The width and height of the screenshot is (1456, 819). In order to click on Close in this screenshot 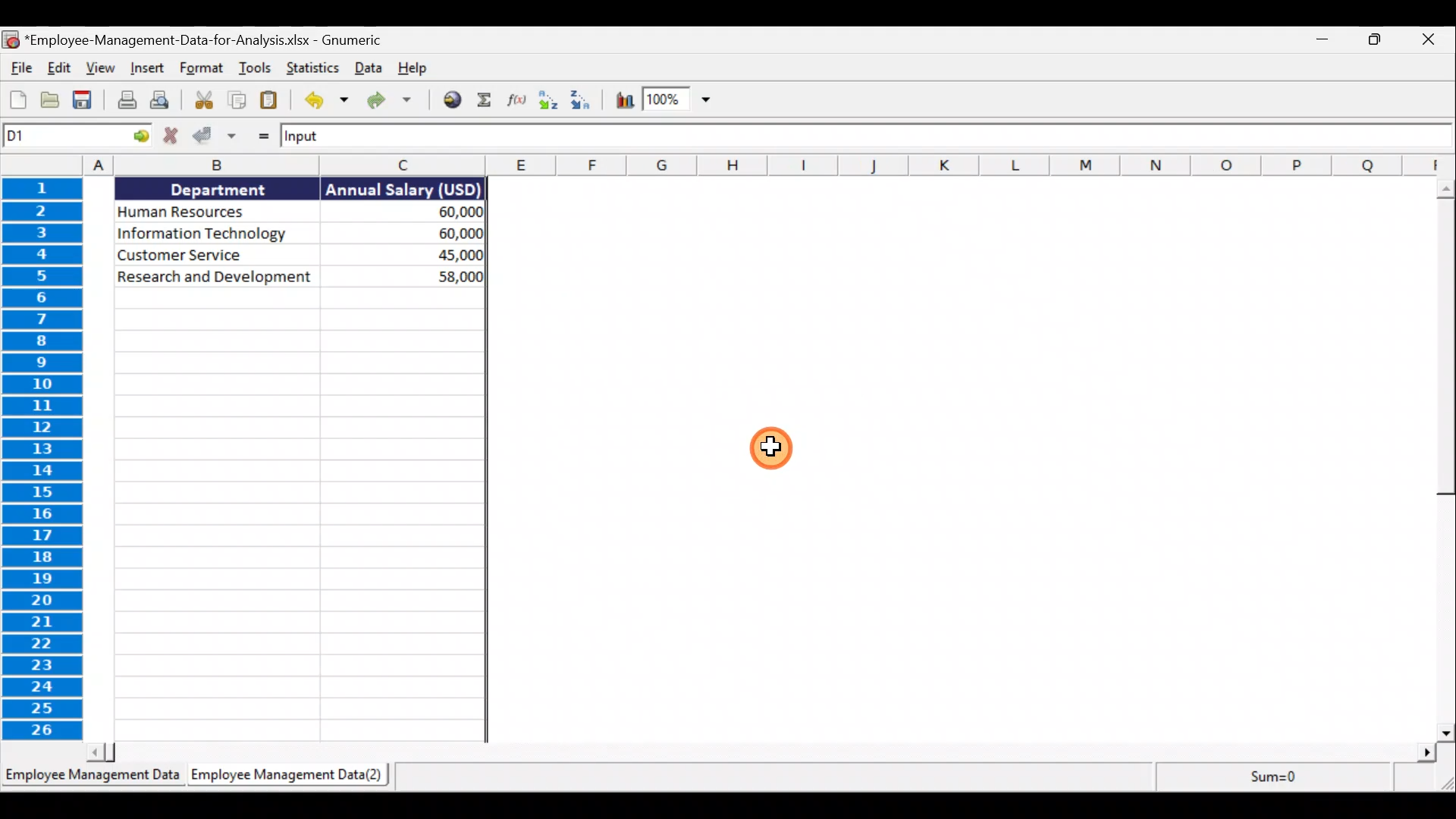, I will do `click(1432, 38)`.